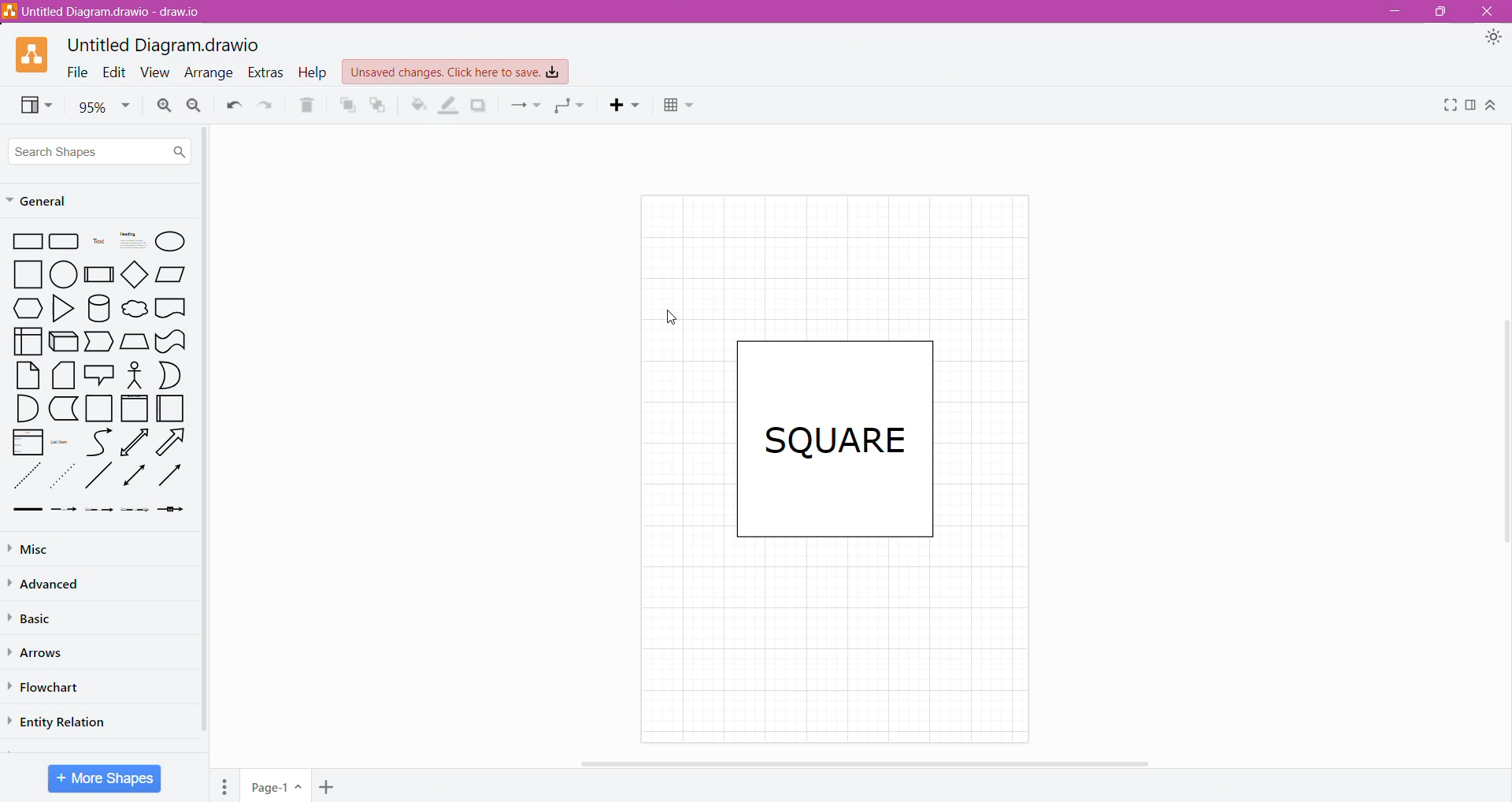 The width and height of the screenshot is (1512, 802). I want to click on diamond, so click(136, 275).